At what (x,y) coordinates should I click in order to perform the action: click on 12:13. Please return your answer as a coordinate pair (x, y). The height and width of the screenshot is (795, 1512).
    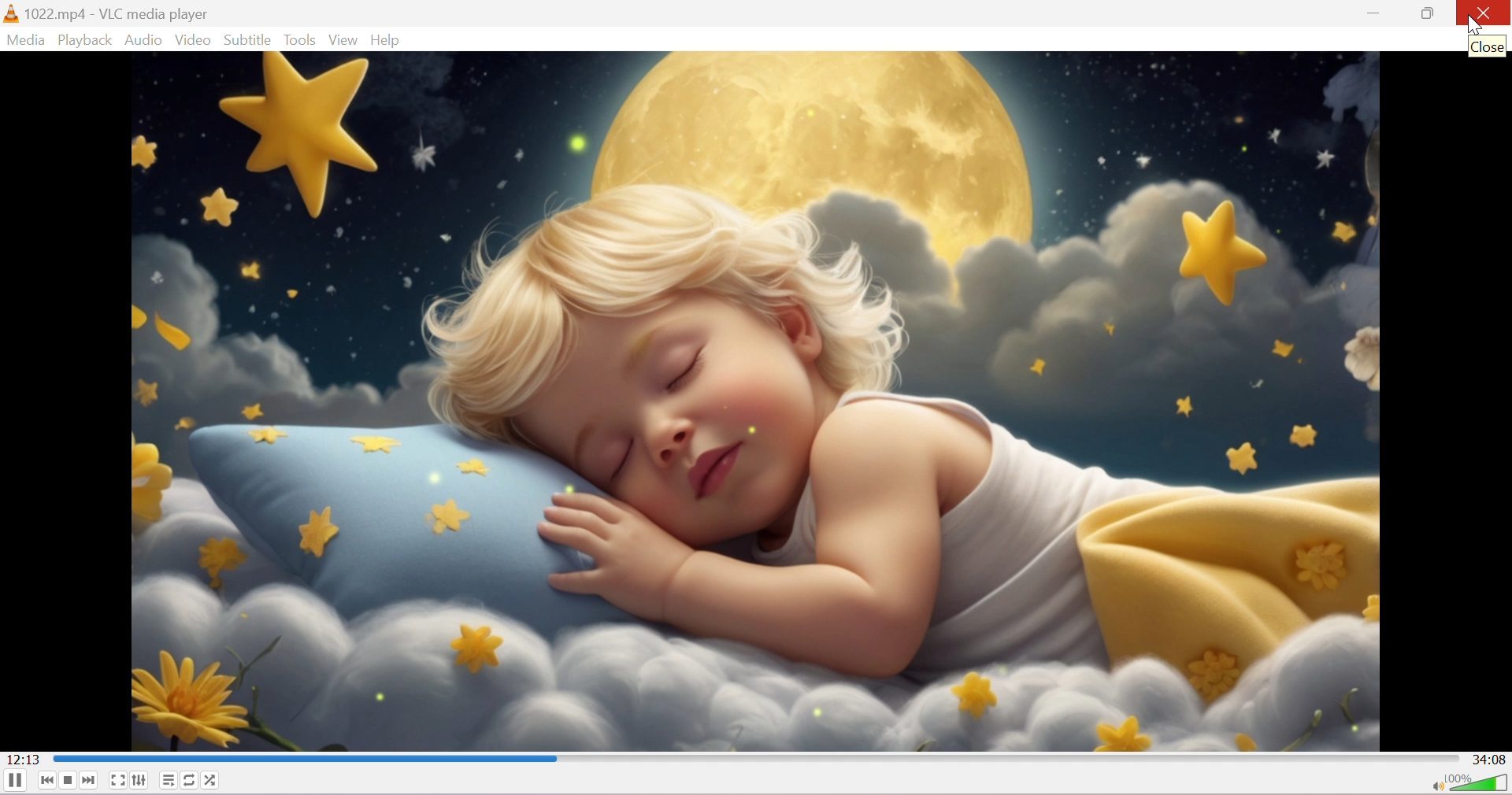
    Looking at the image, I should click on (23, 758).